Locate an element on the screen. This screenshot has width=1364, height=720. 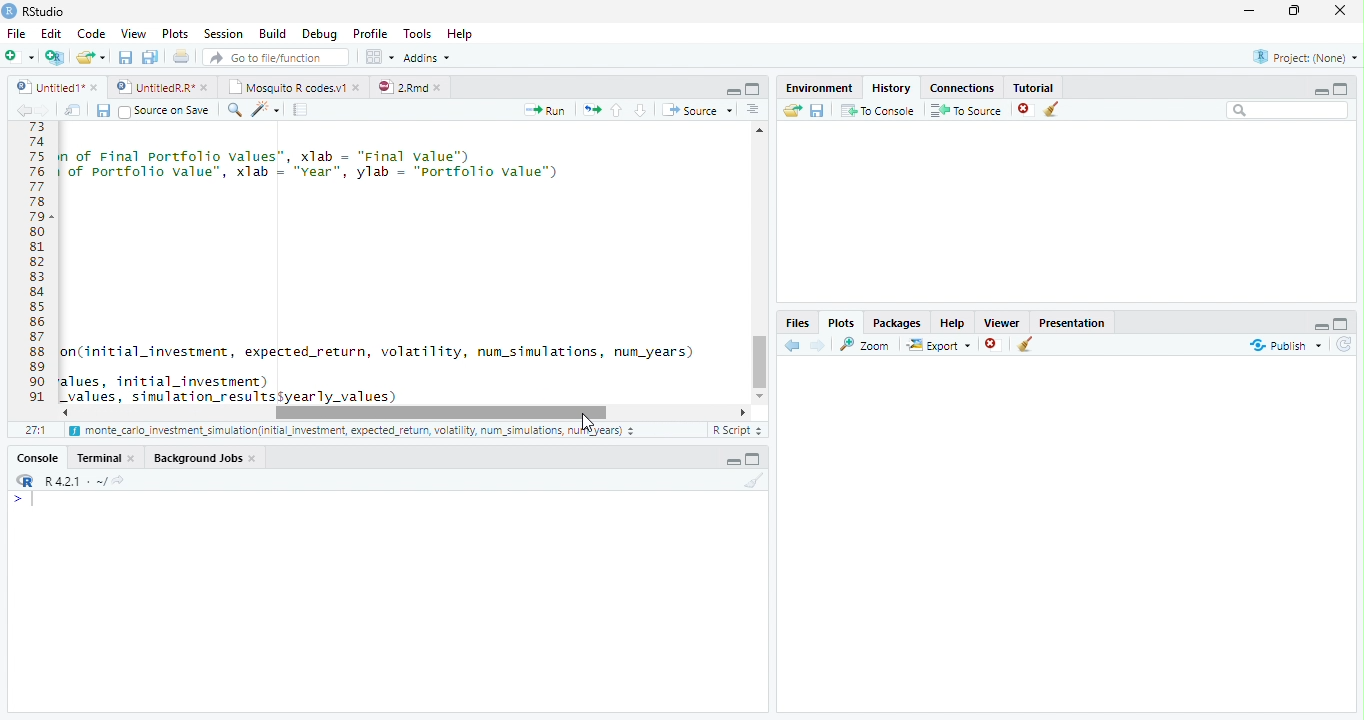
Environment is located at coordinates (819, 85).